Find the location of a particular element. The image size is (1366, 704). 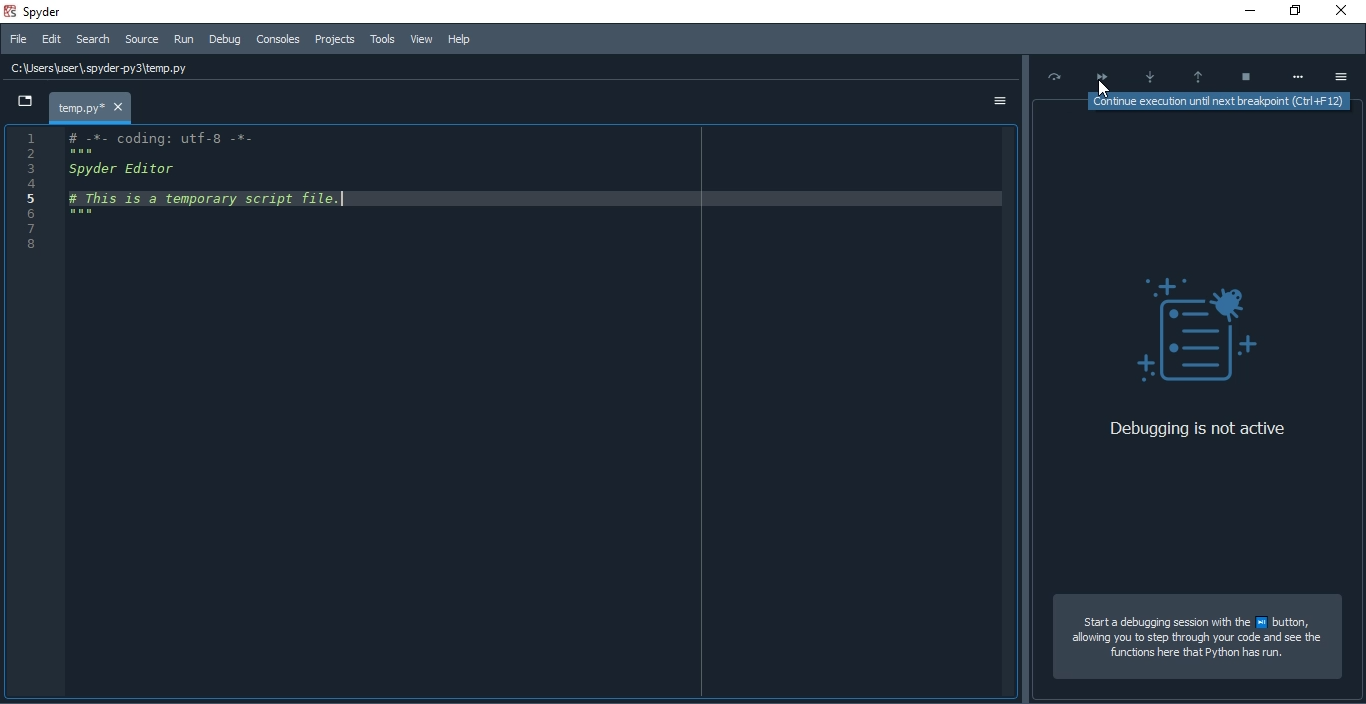

Edit is located at coordinates (53, 38).